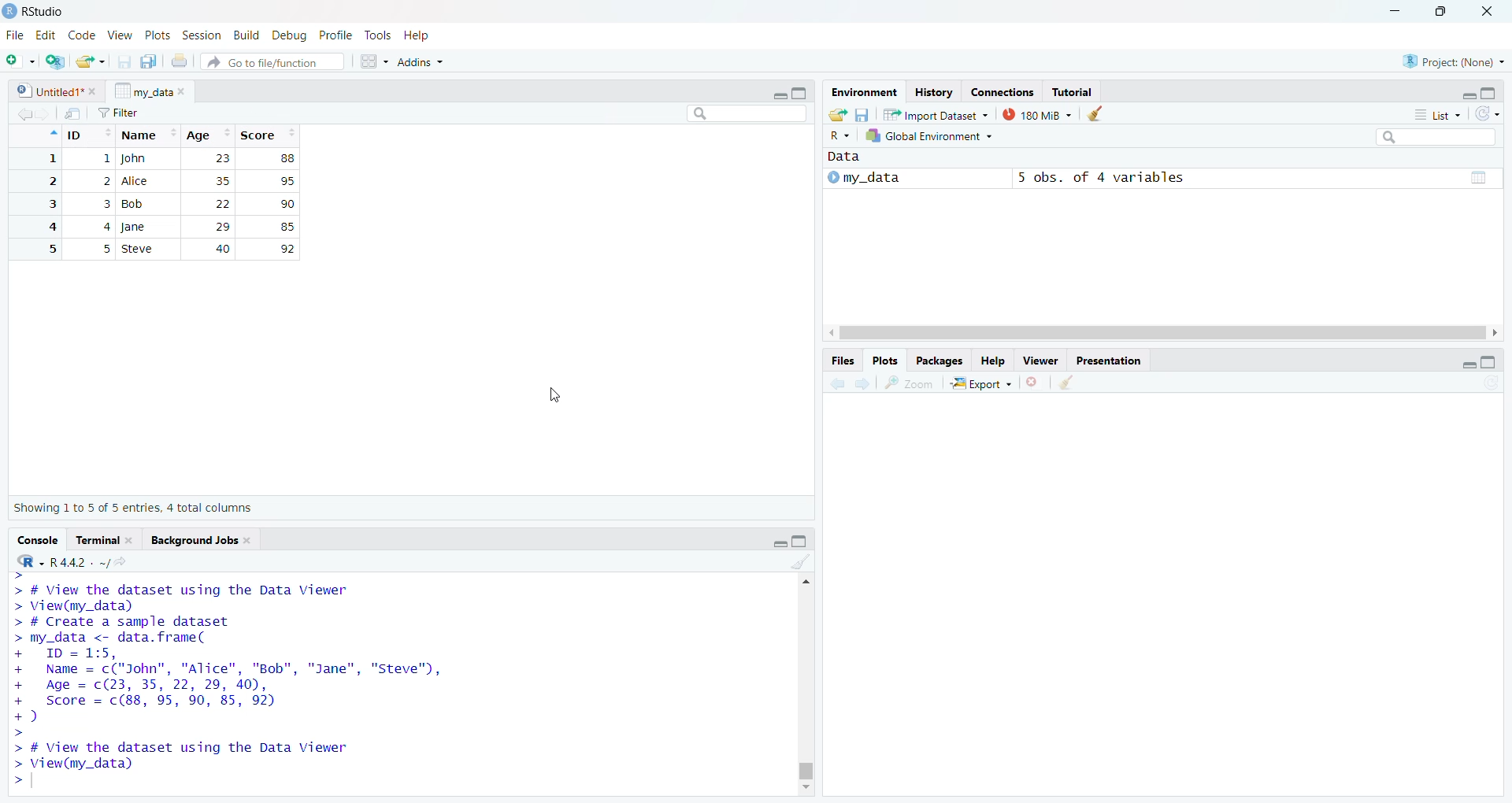 Image resolution: width=1512 pixels, height=803 pixels. What do you see at coordinates (75, 561) in the screenshot?
I see `R.4.4.2 Version` at bounding box center [75, 561].